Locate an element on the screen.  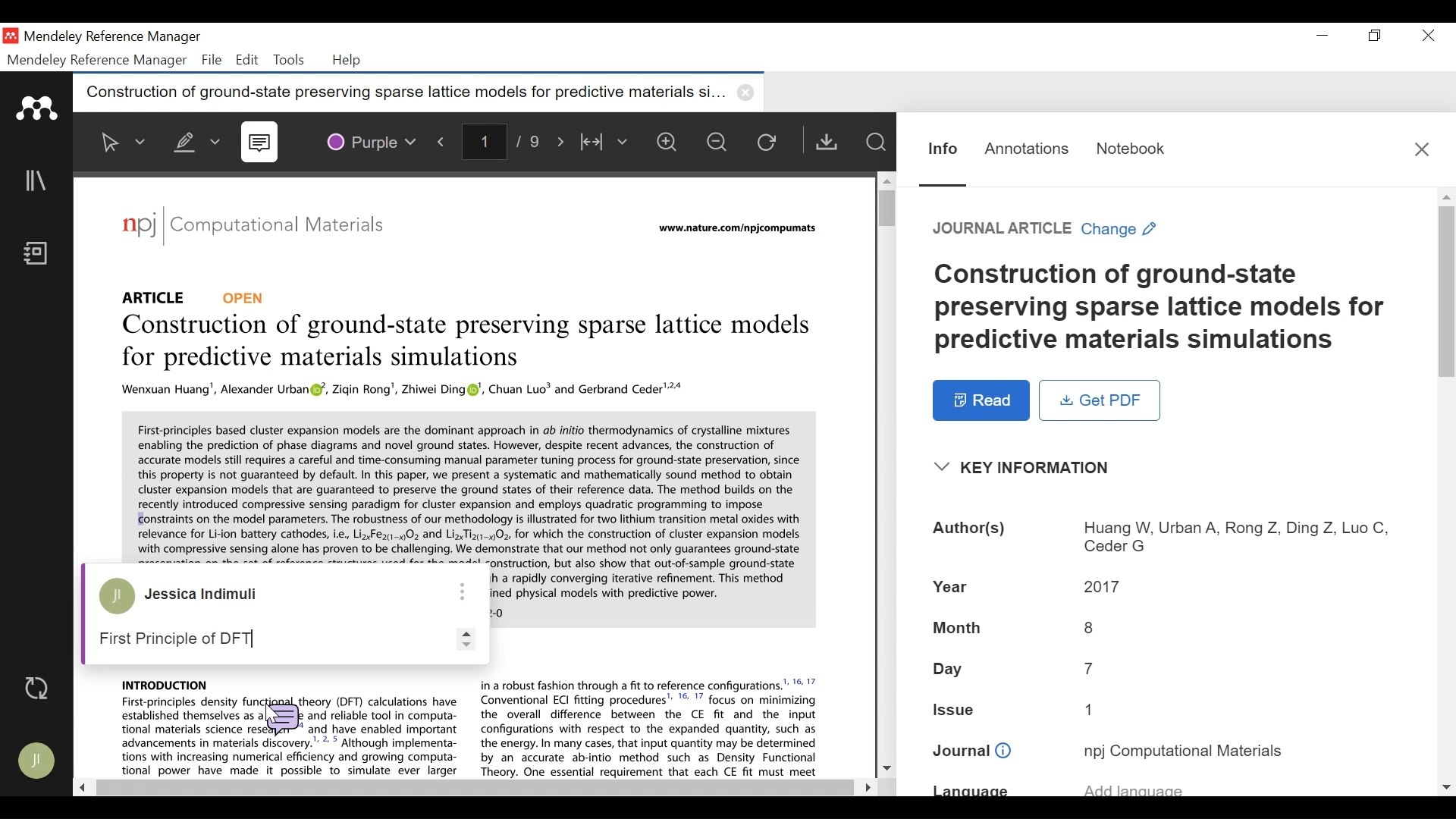
Mendeley Desktop Icon is located at coordinates (11, 36).